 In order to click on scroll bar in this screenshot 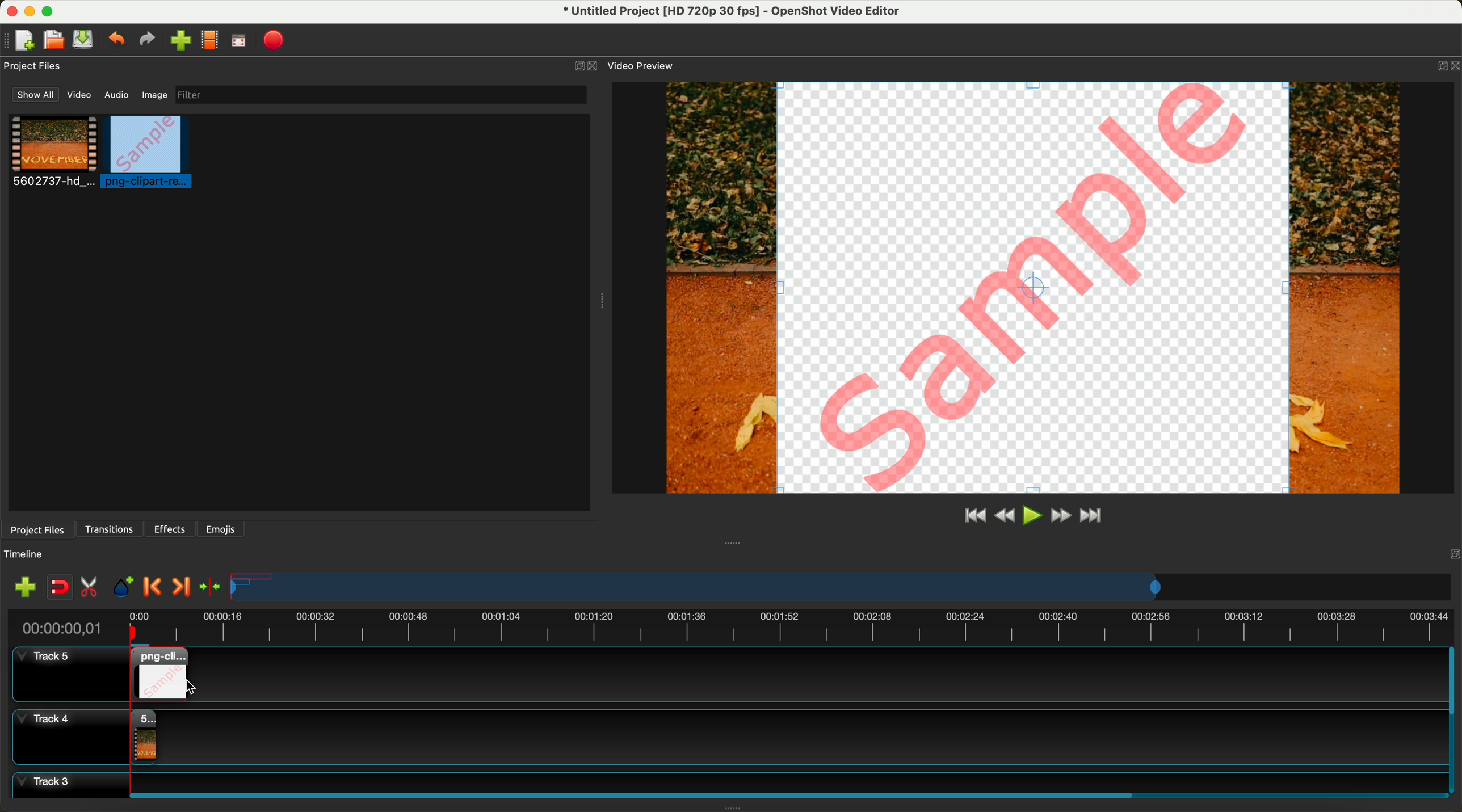, I will do `click(783, 794)`.